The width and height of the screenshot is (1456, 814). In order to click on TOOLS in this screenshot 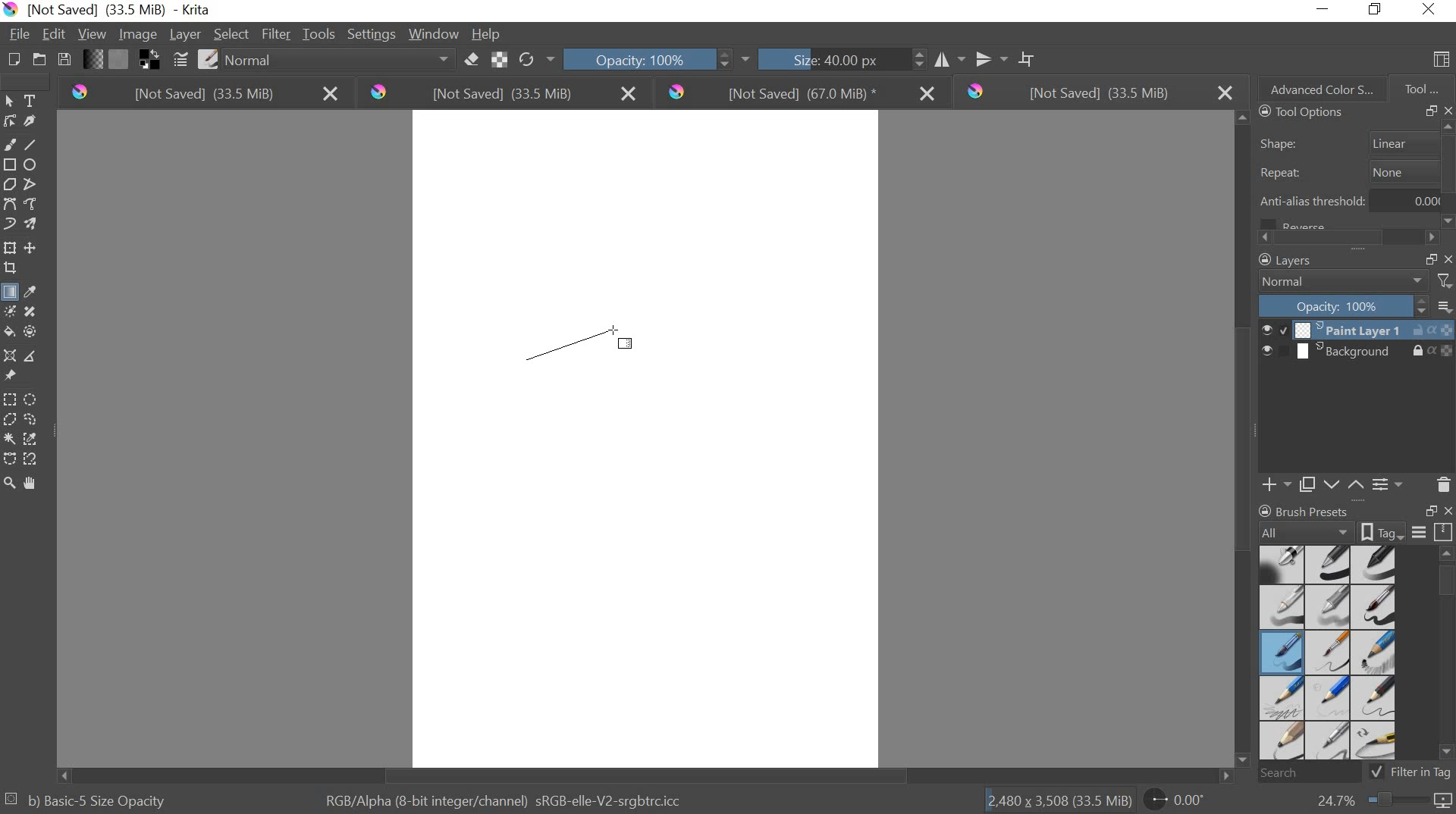, I will do `click(319, 33)`.